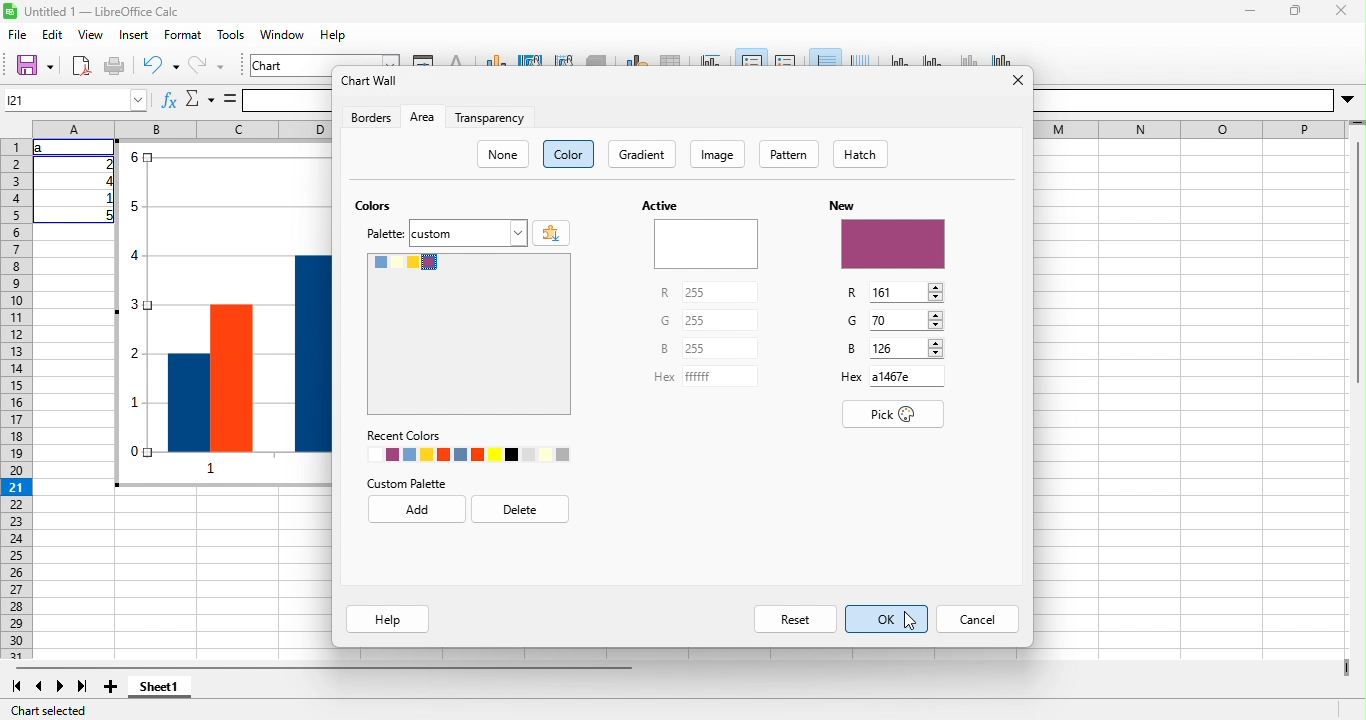 The image size is (1366, 720). What do you see at coordinates (1358, 253) in the screenshot?
I see `Vertical slide bar` at bounding box center [1358, 253].